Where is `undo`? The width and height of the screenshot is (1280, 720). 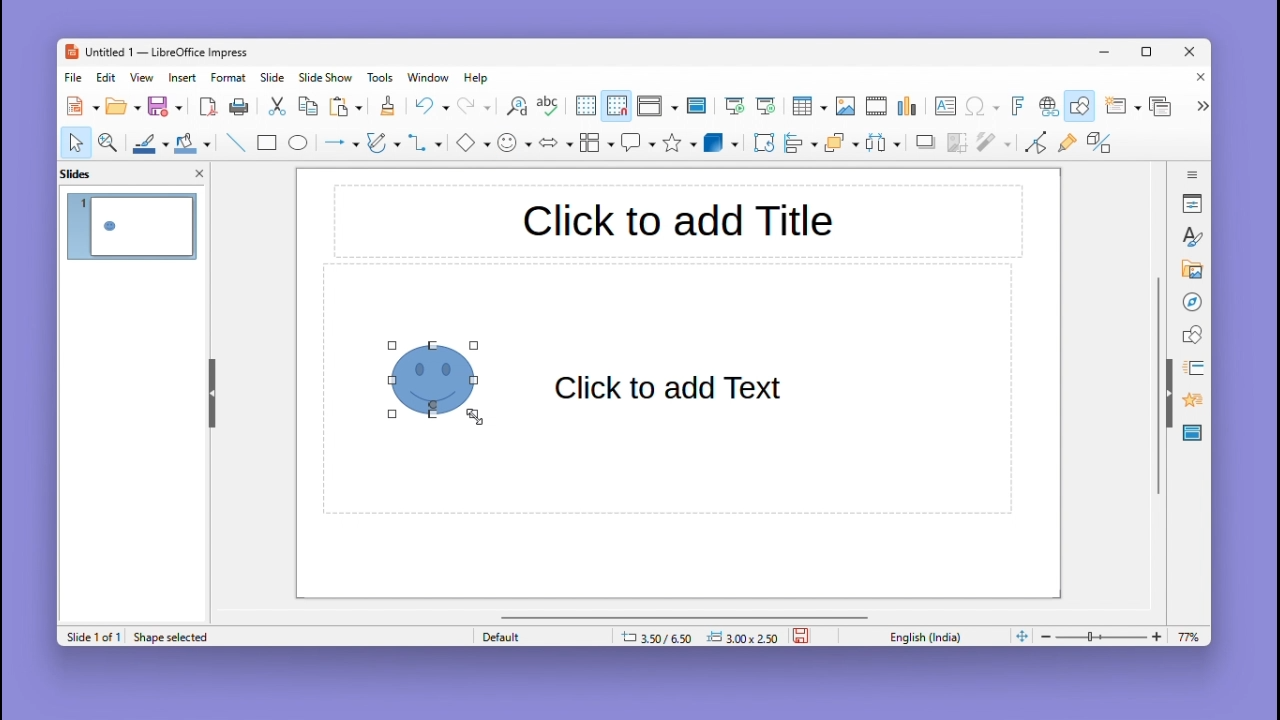
undo is located at coordinates (431, 106).